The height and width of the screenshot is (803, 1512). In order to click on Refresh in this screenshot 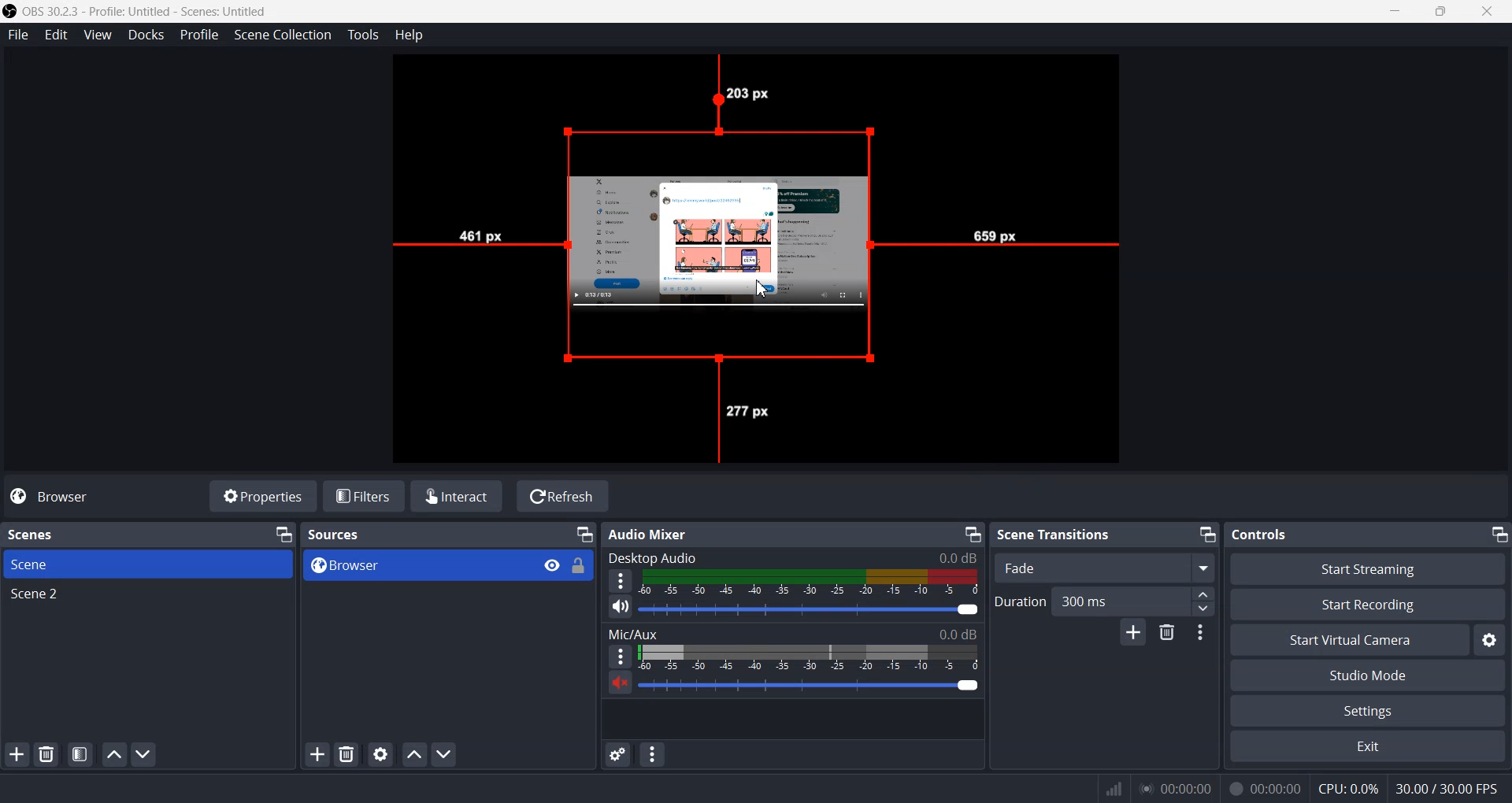, I will do `click(561, 497)`.